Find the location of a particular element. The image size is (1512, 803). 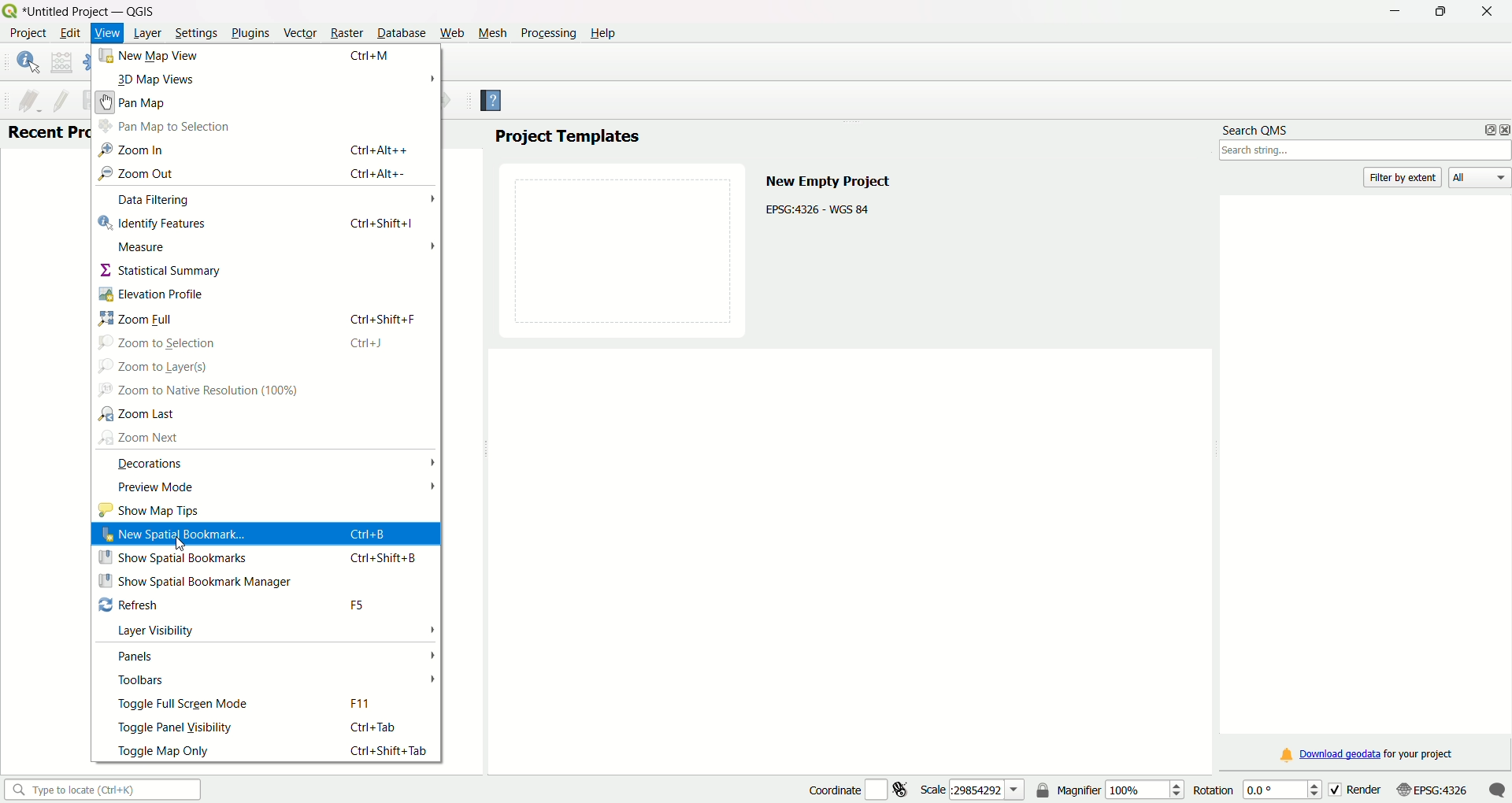

statistical summary is located at coordinates (157, 271).